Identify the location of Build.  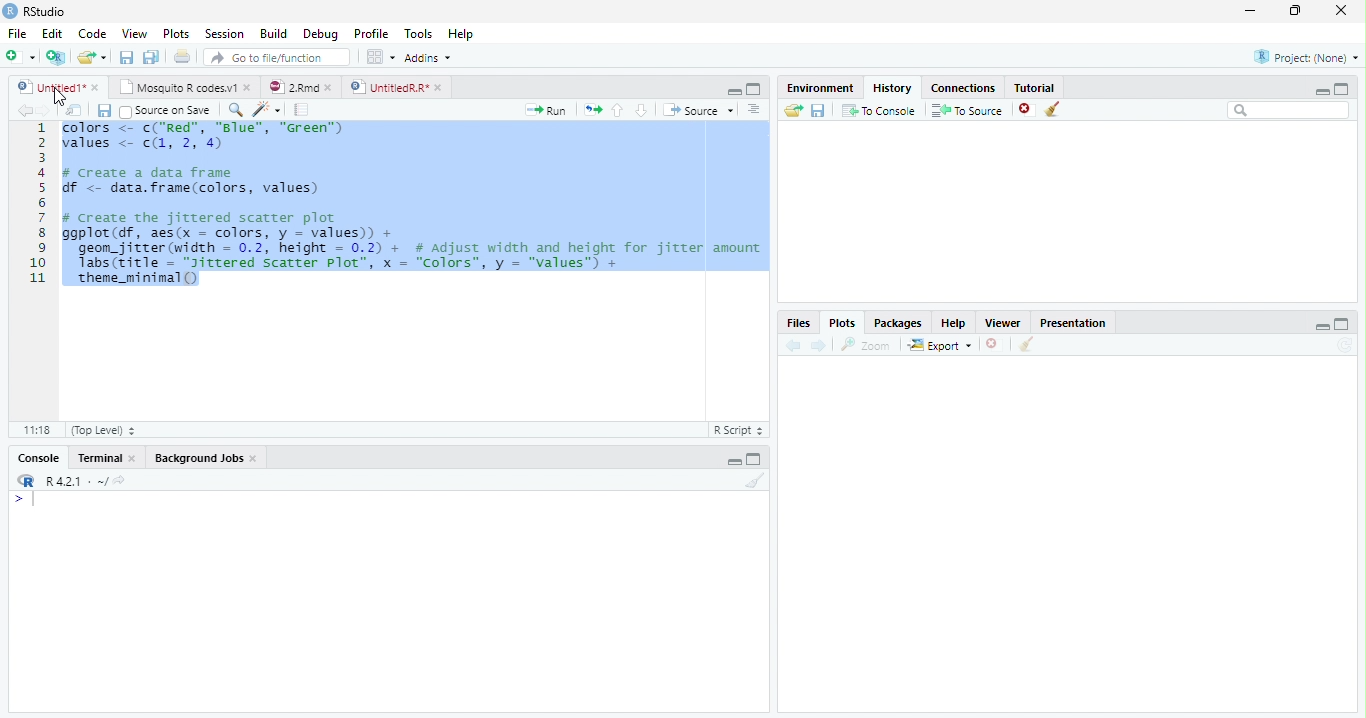
(272, 33).